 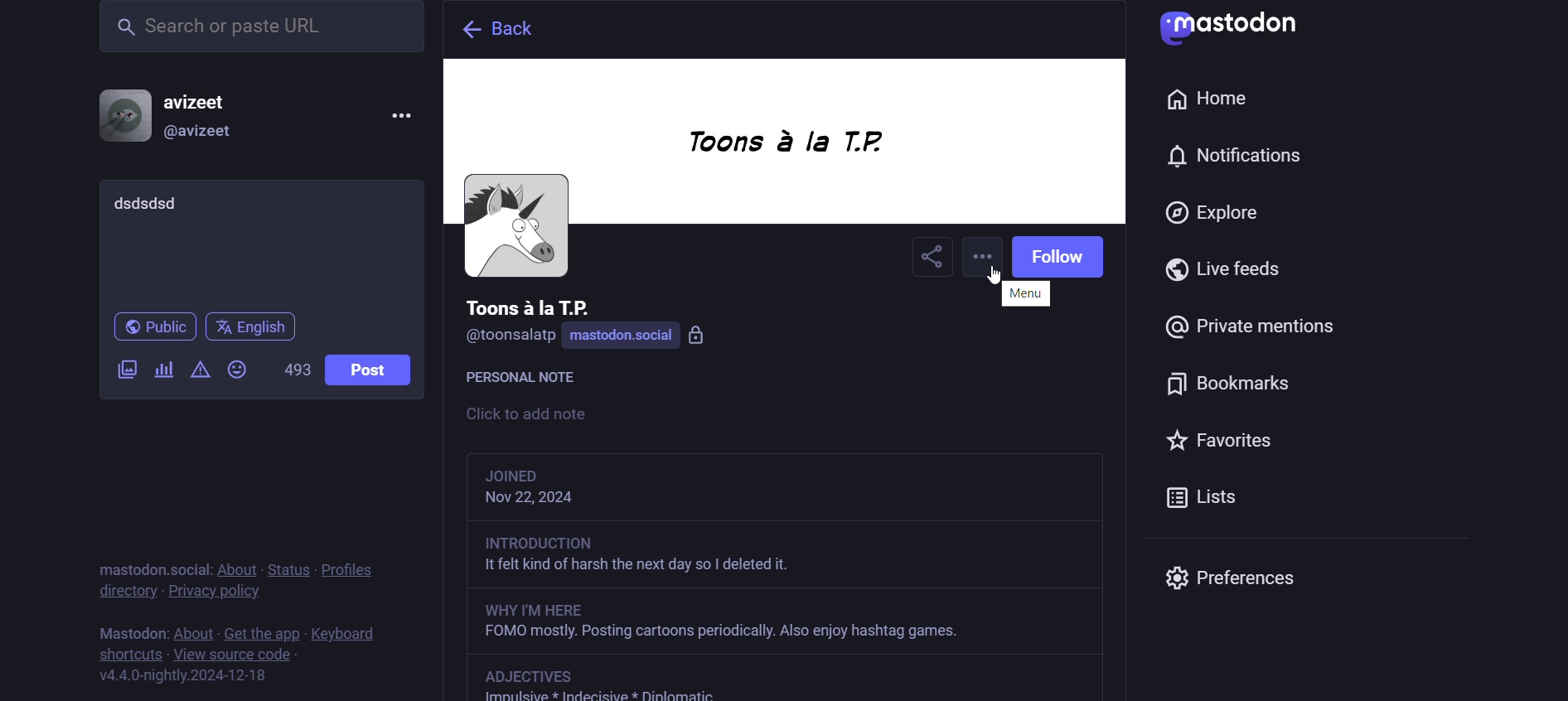 I want to click on username, so click(x=208, y=99).